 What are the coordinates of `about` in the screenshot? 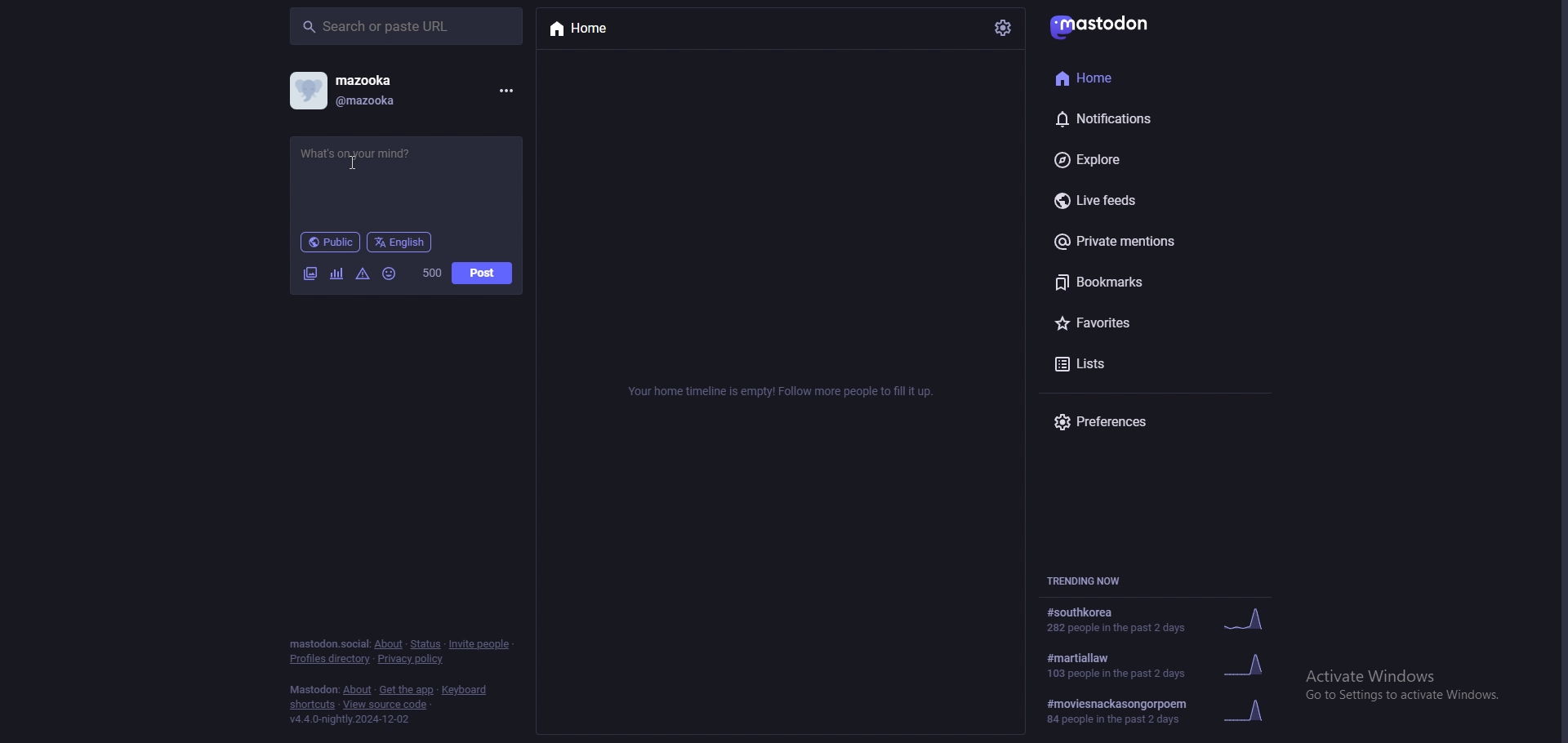 It's located at (358, 690).